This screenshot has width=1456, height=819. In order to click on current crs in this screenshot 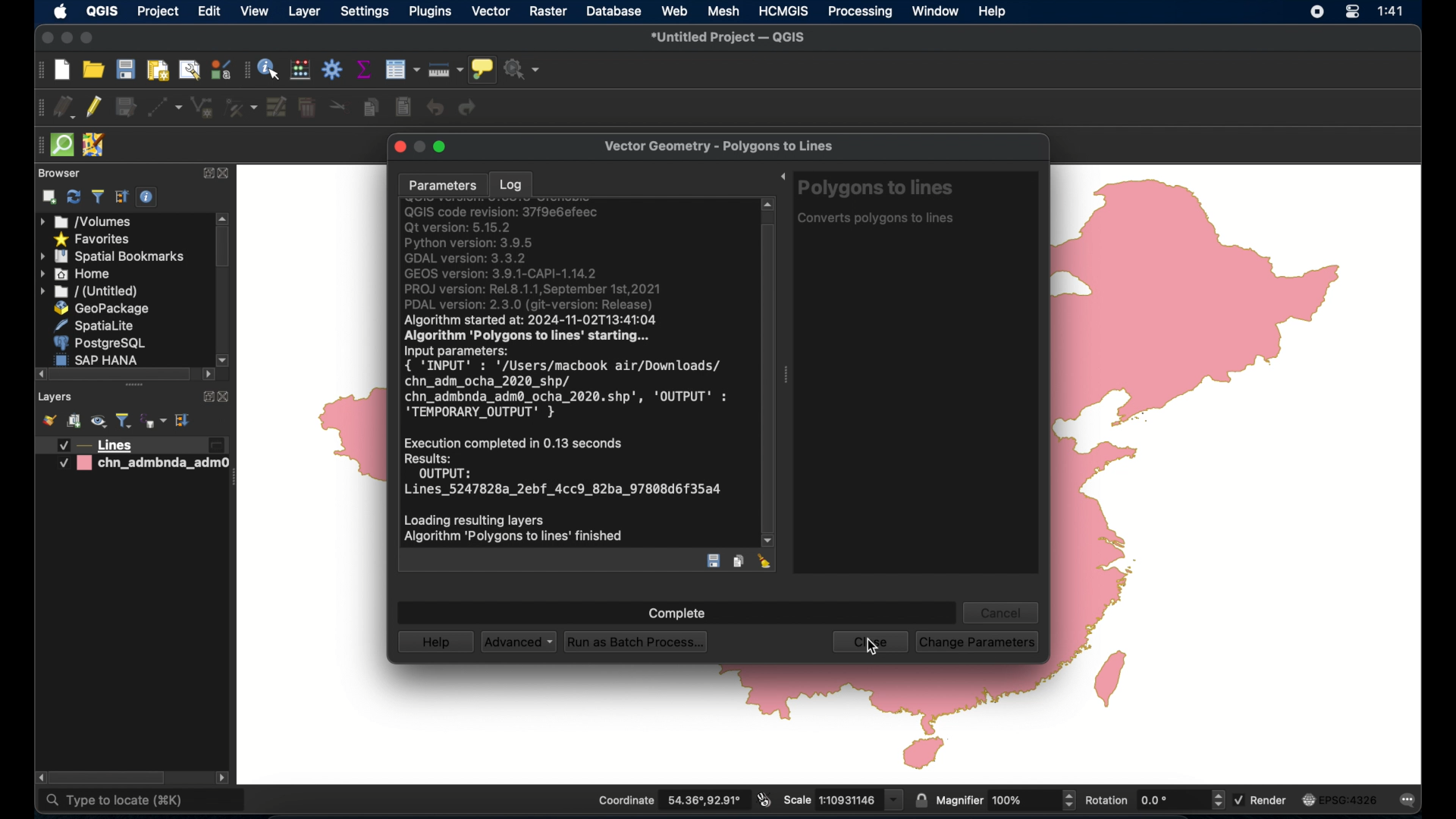, I will do `click(1342, 799)`.